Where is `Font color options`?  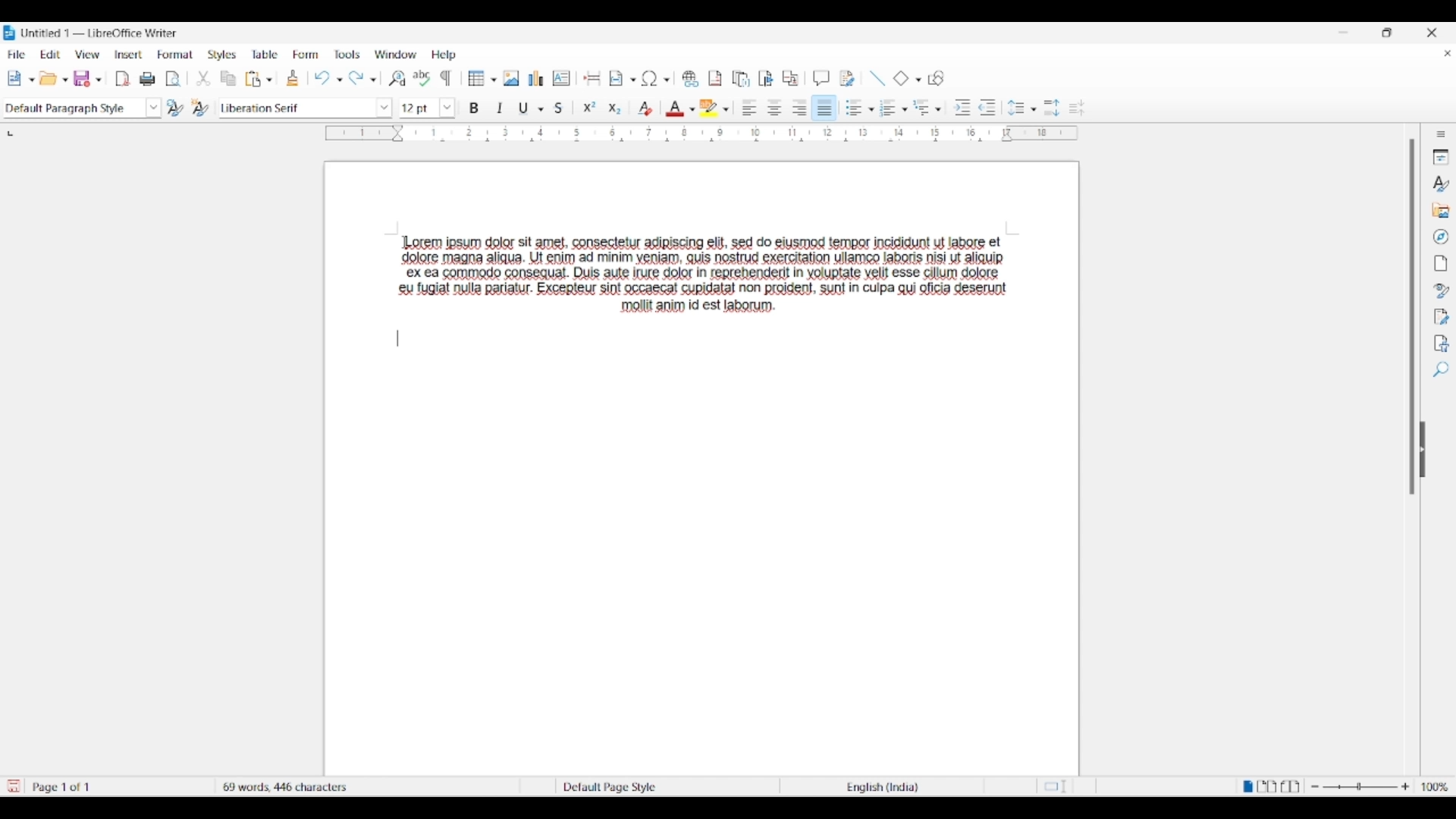
Font color options is located at coordinates (692, 109).